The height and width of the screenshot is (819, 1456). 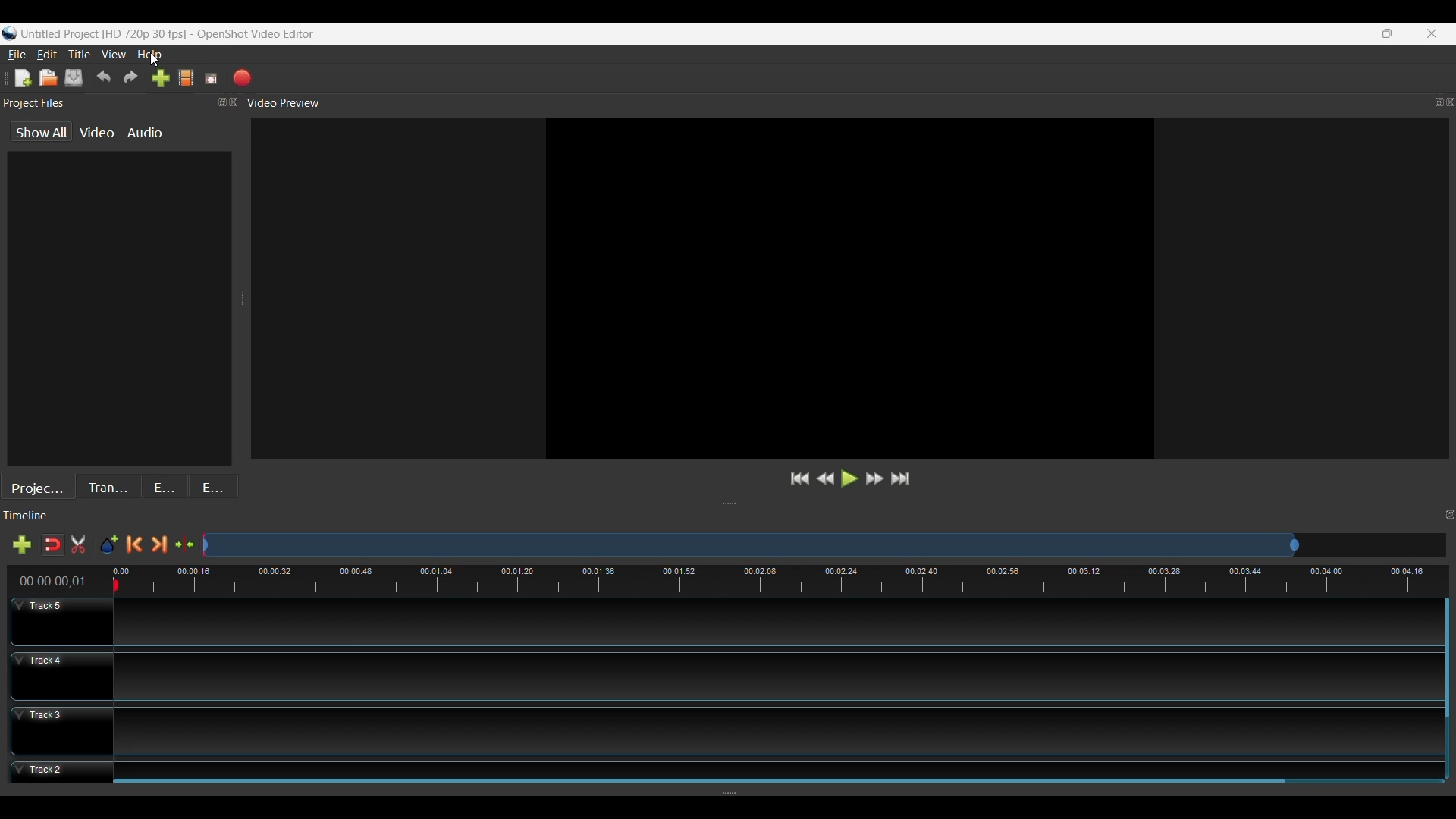 I want to click on Emojis, so click(x=215, y=485).